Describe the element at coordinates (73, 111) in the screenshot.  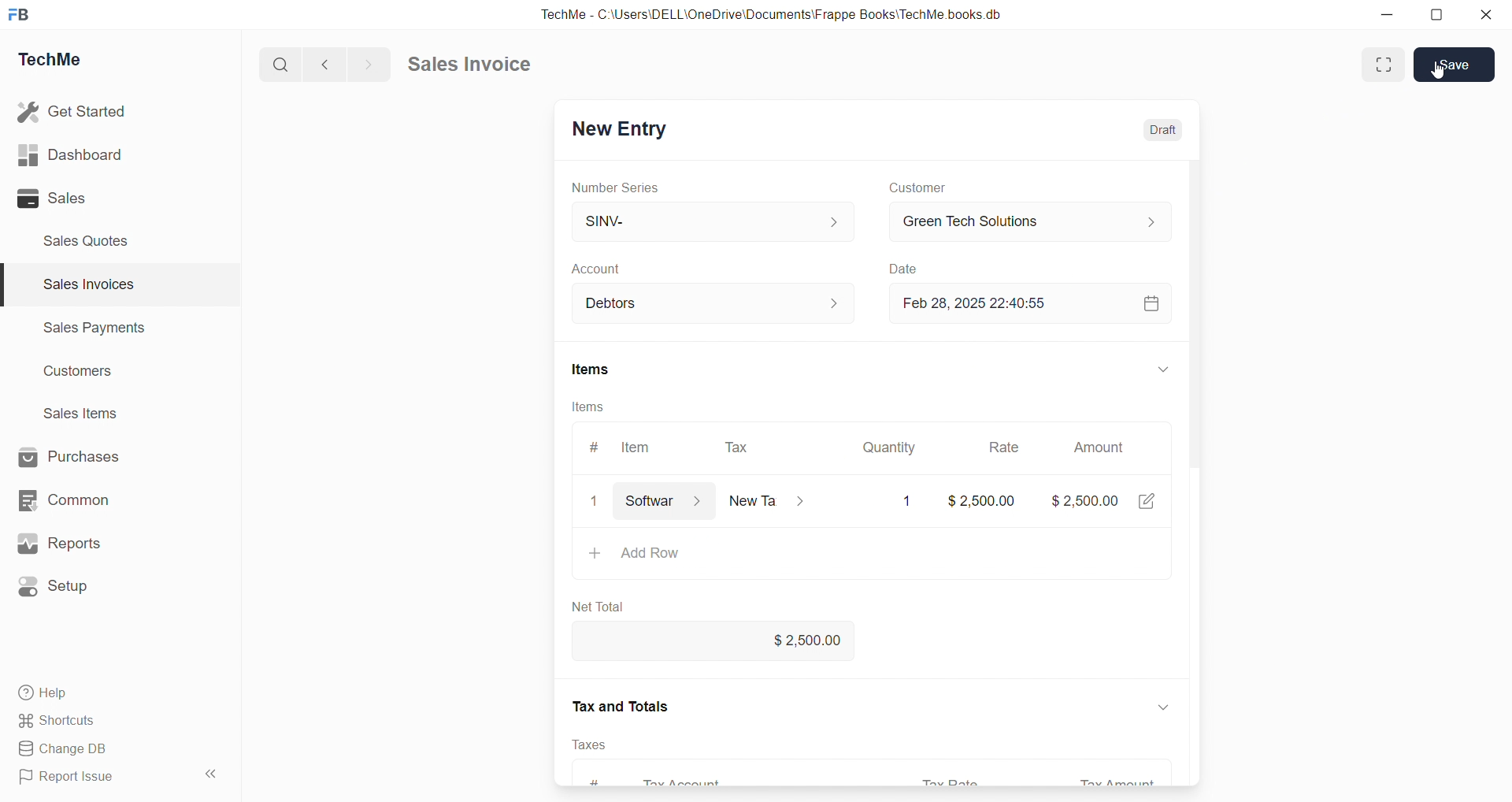
I see `Get Started` at that location.